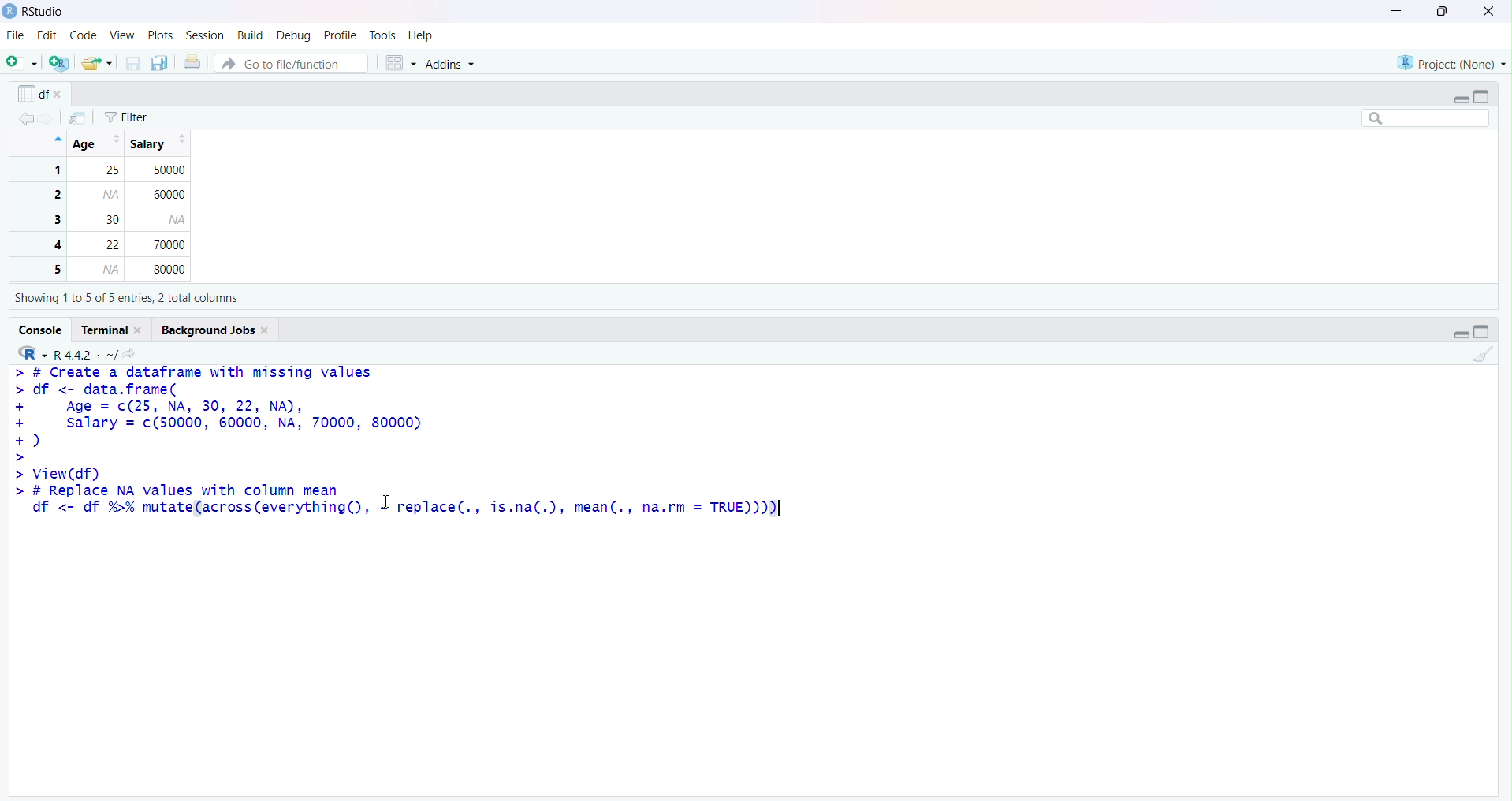 Image resolution: width=1512 pixels, height=801 pixels. What do you see at coordinates (216, 330) in the screenshot?
I see `Background Jobs` at bounding box center [216, 330].